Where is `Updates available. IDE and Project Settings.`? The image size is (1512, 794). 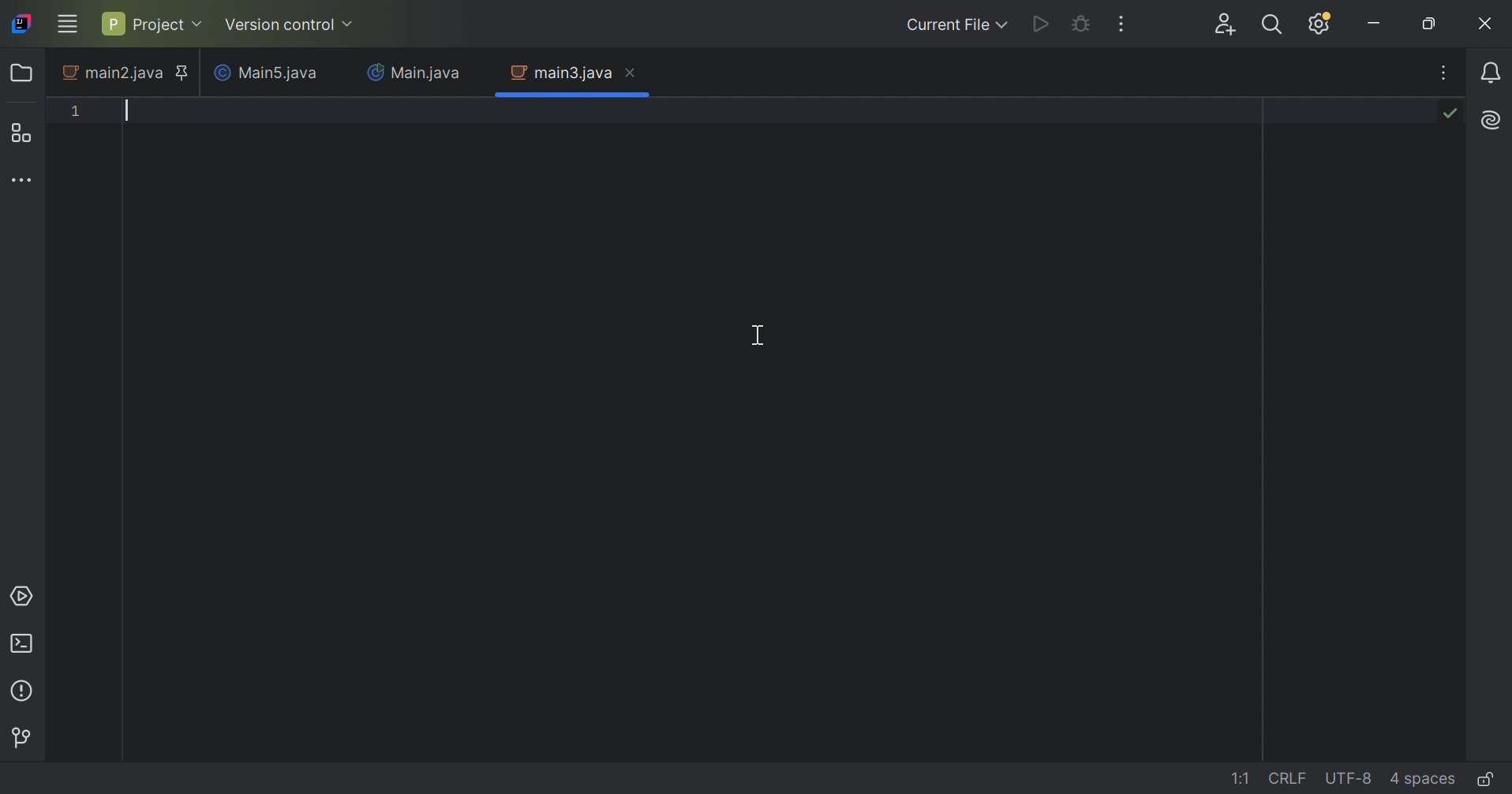 Updates available. IDE and Project Settings. is located at coordinates (1319, 24).